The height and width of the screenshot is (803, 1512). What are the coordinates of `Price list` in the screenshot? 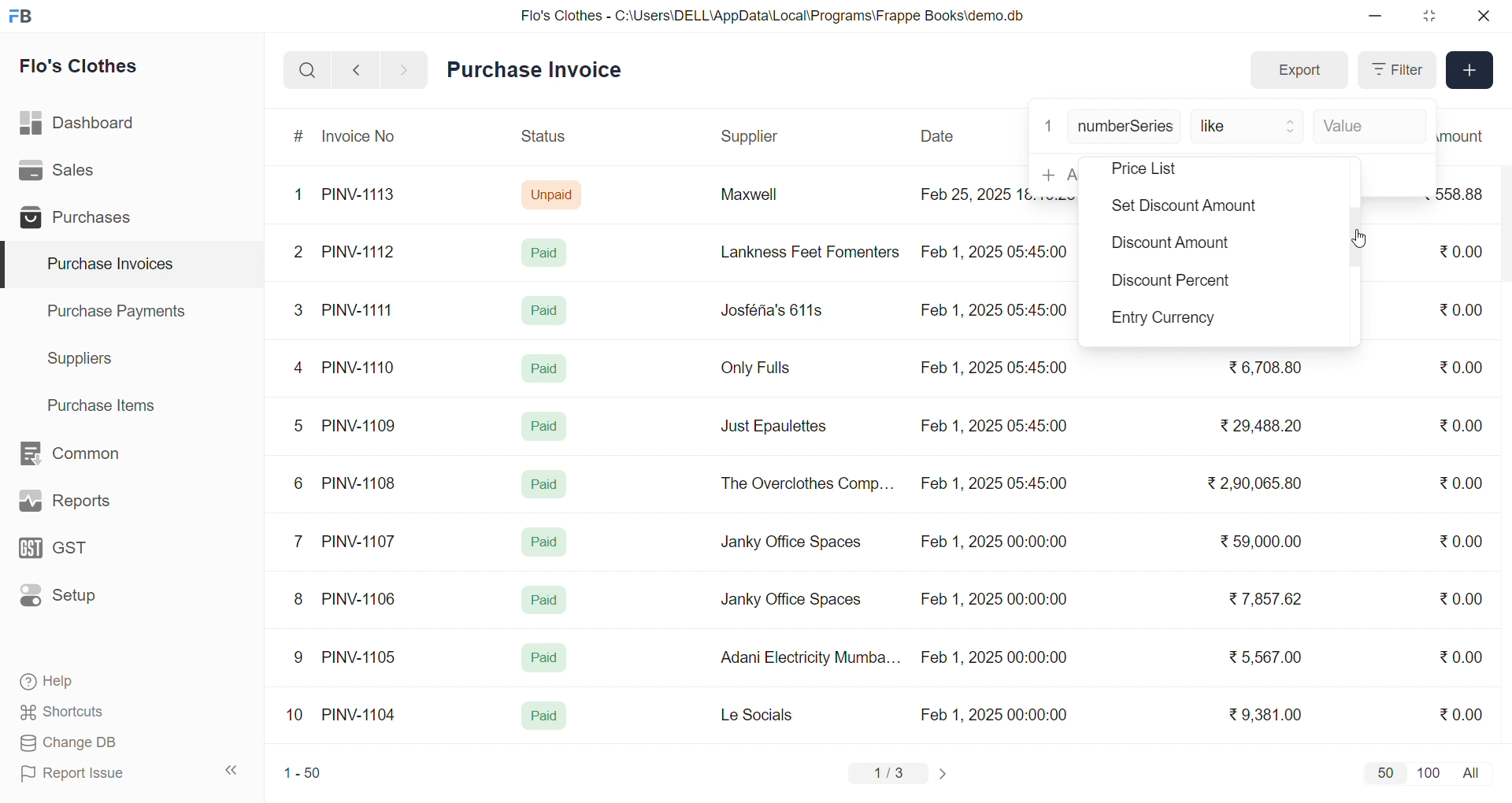 It's located at (1167, 169).